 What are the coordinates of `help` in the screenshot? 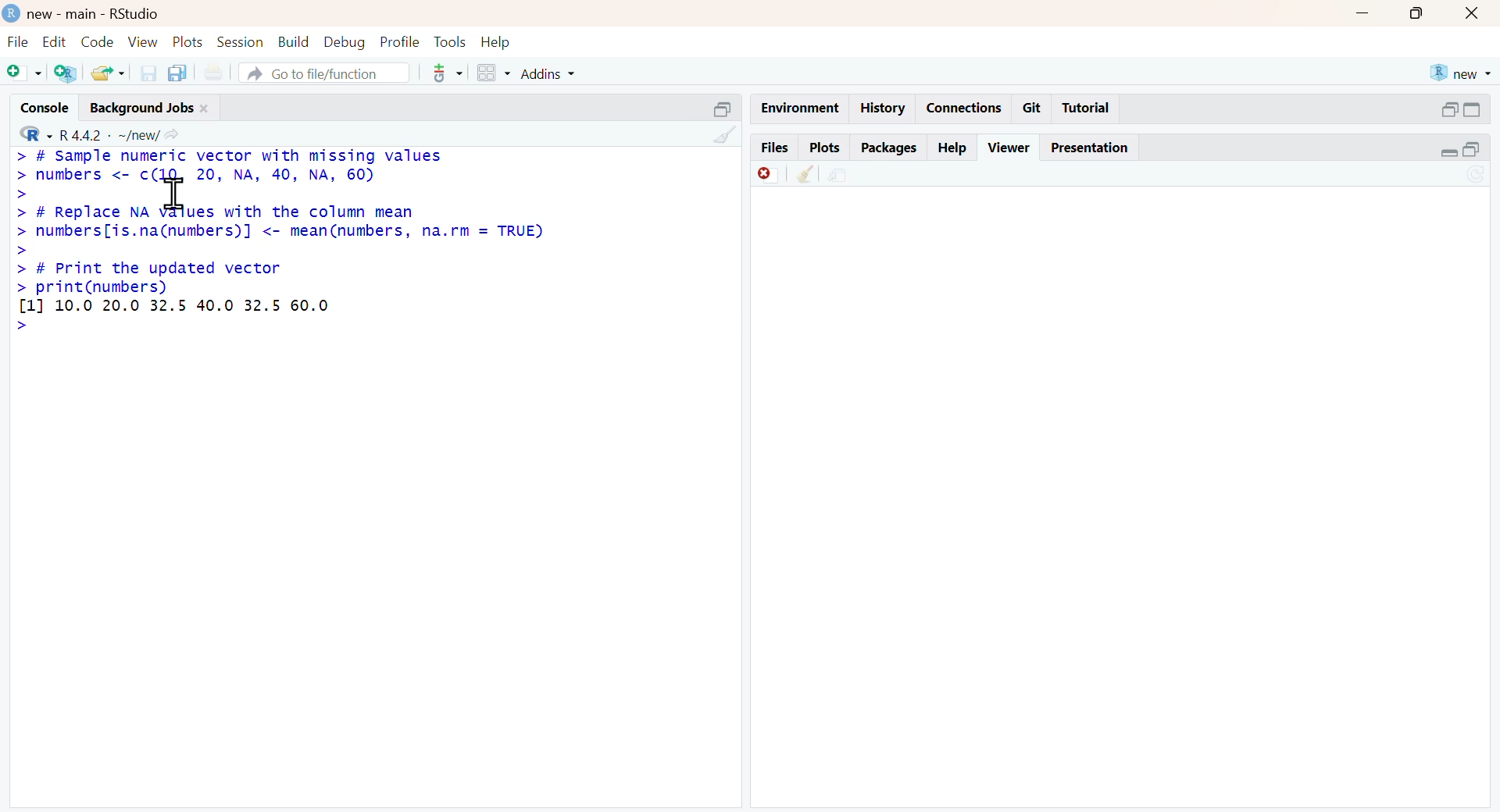 It's located at (495, 44).